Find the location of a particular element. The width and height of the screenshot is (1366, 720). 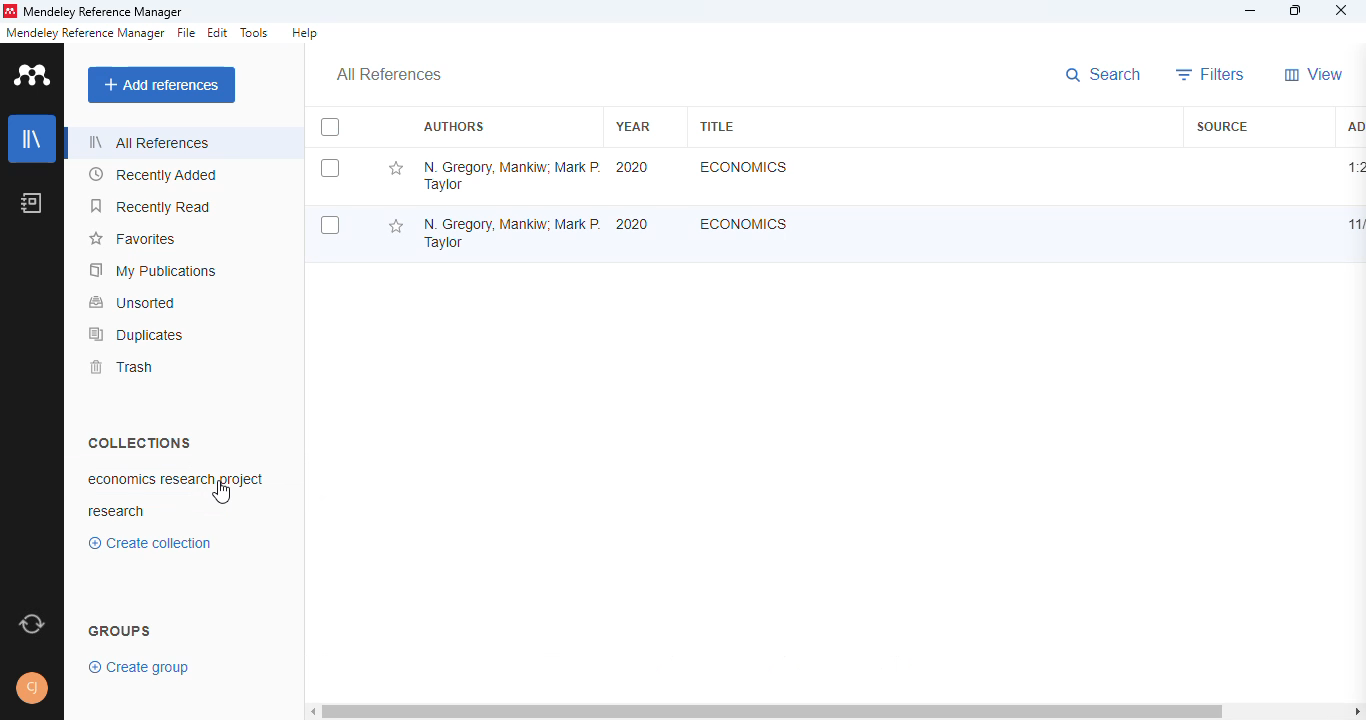

search is located at coordinates (1106, 76).